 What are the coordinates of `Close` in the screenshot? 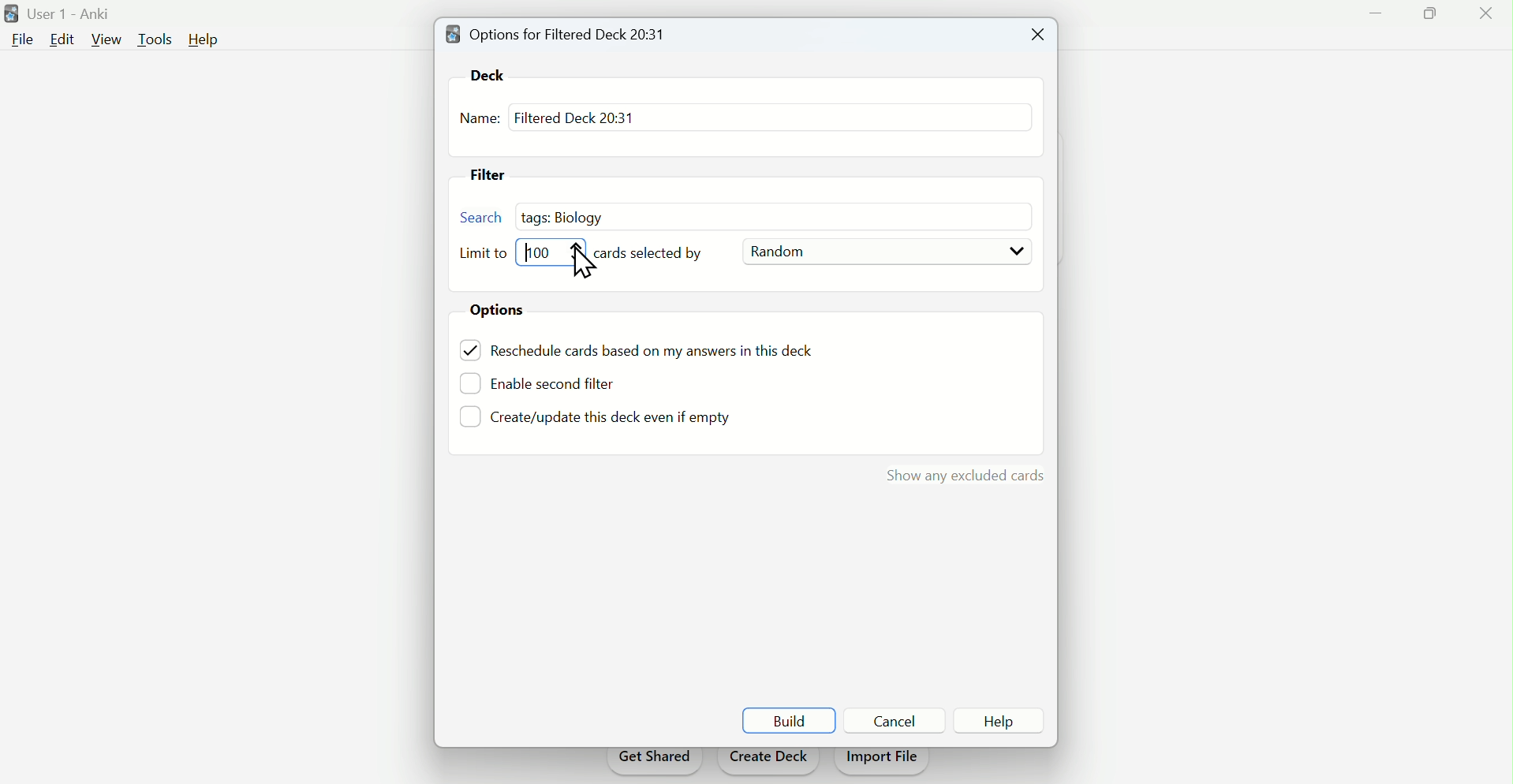 It's located at (1482, 17).